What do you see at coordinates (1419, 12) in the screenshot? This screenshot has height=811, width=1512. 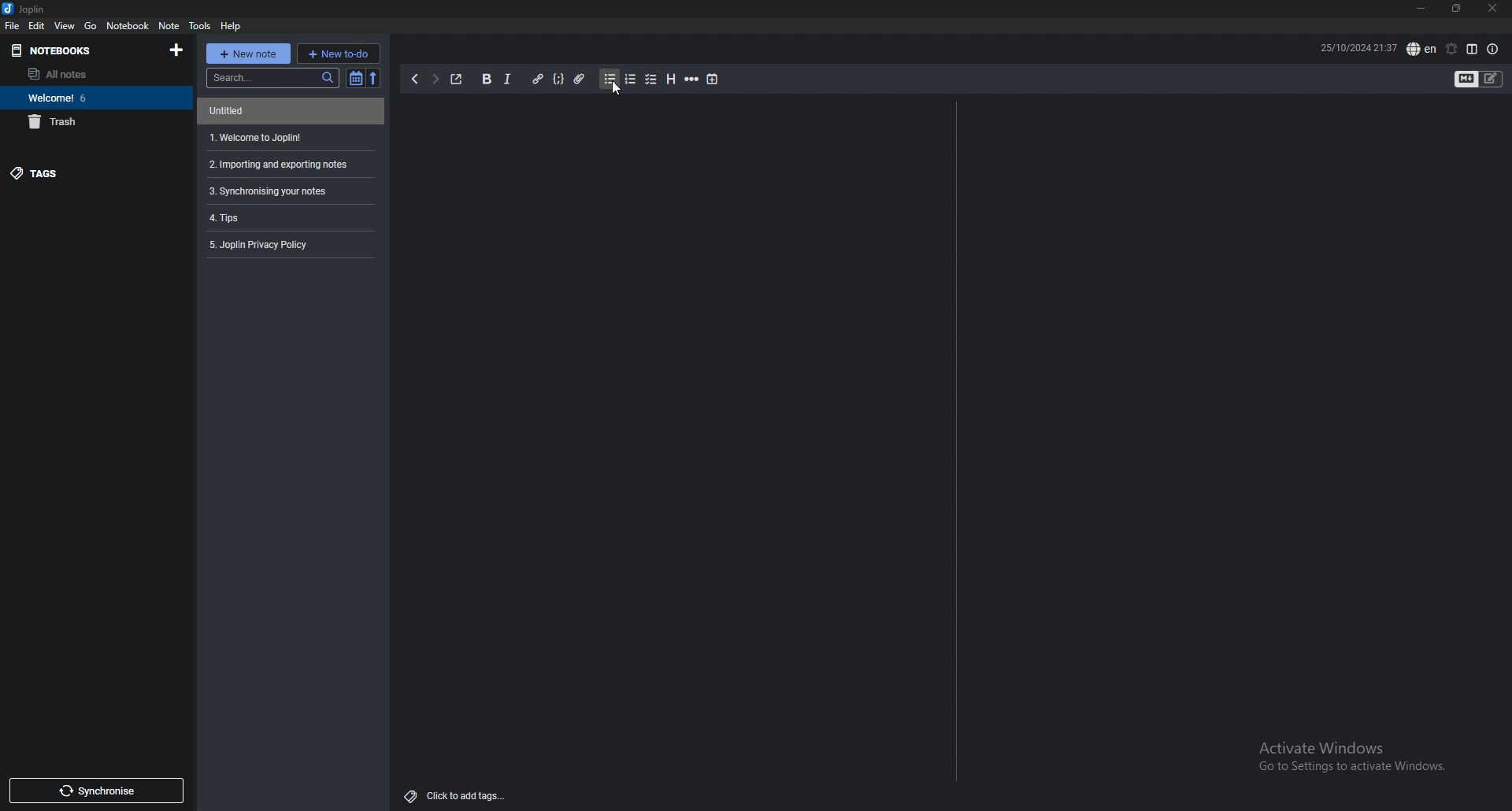 I see `minimize` at bounding box center [1419, 12].